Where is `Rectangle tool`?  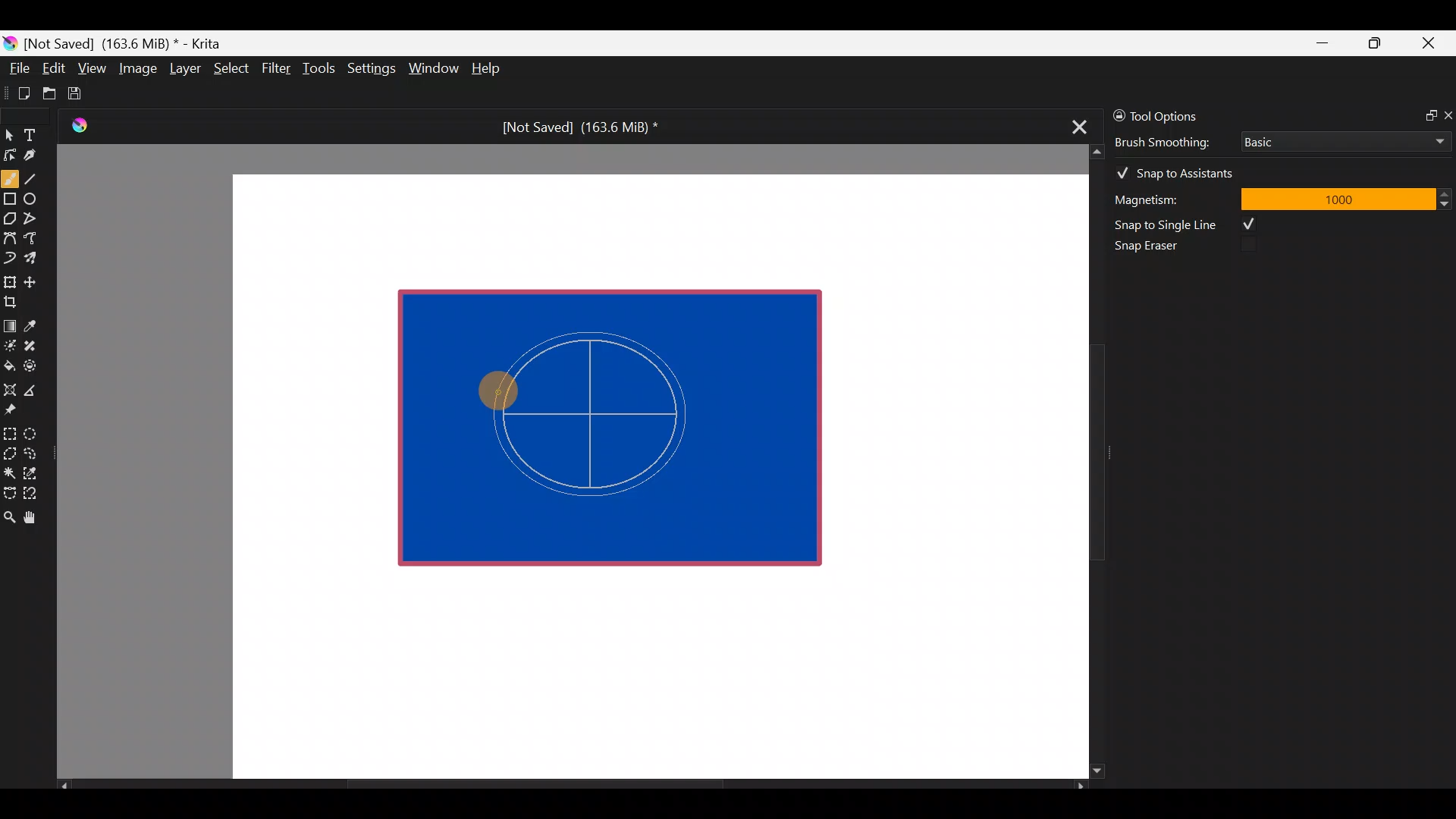
Rectangle tool is located at coordinates (10, 200).